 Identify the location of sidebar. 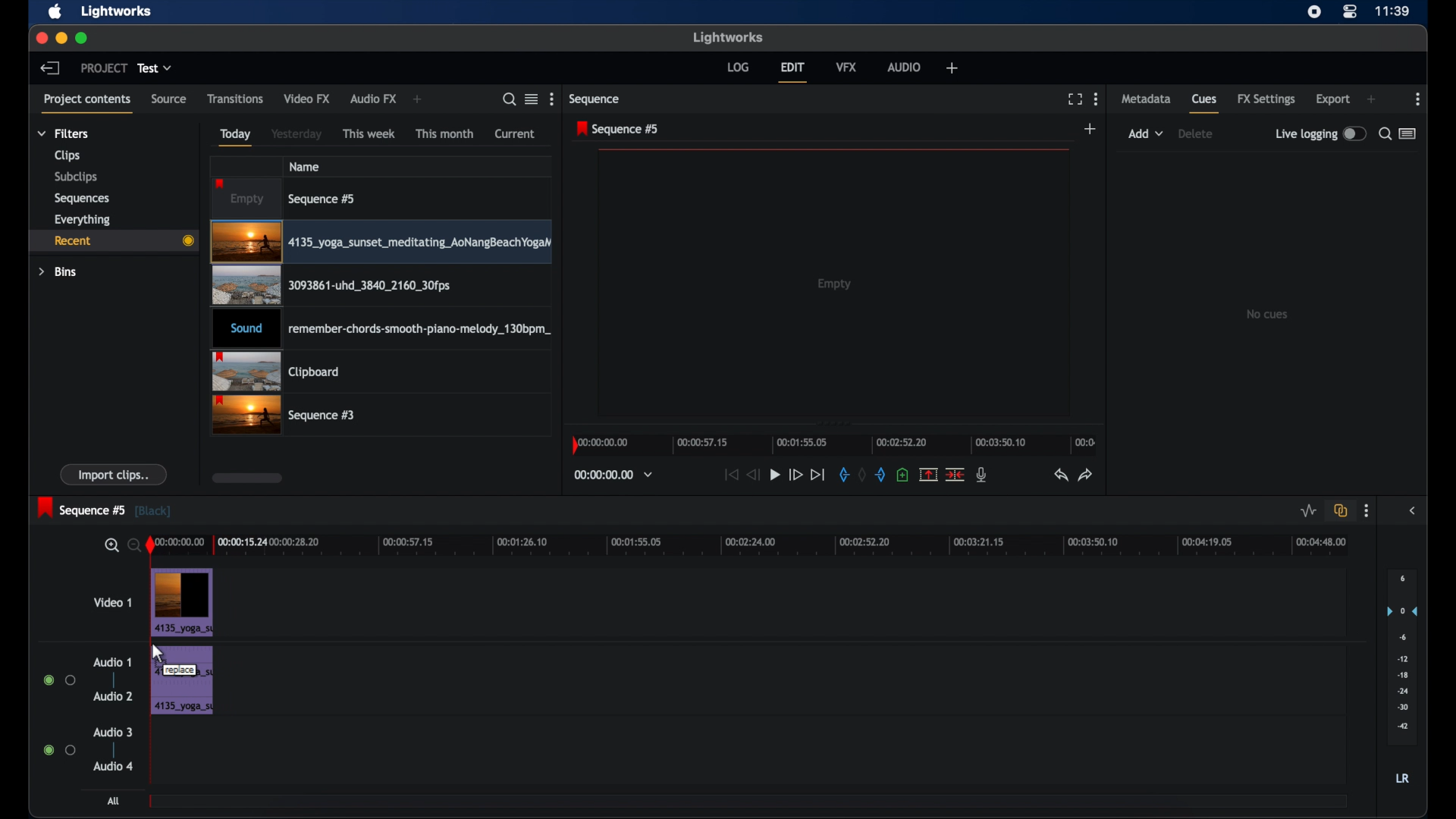
(1412, 511).